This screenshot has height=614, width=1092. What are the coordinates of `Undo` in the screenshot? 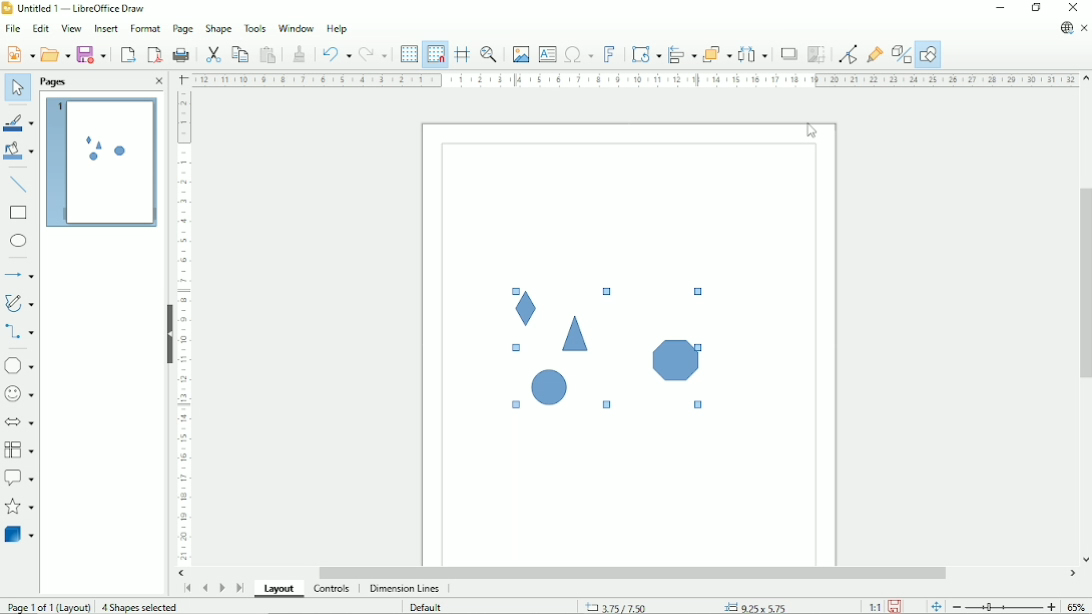 It's located at (336, 55).